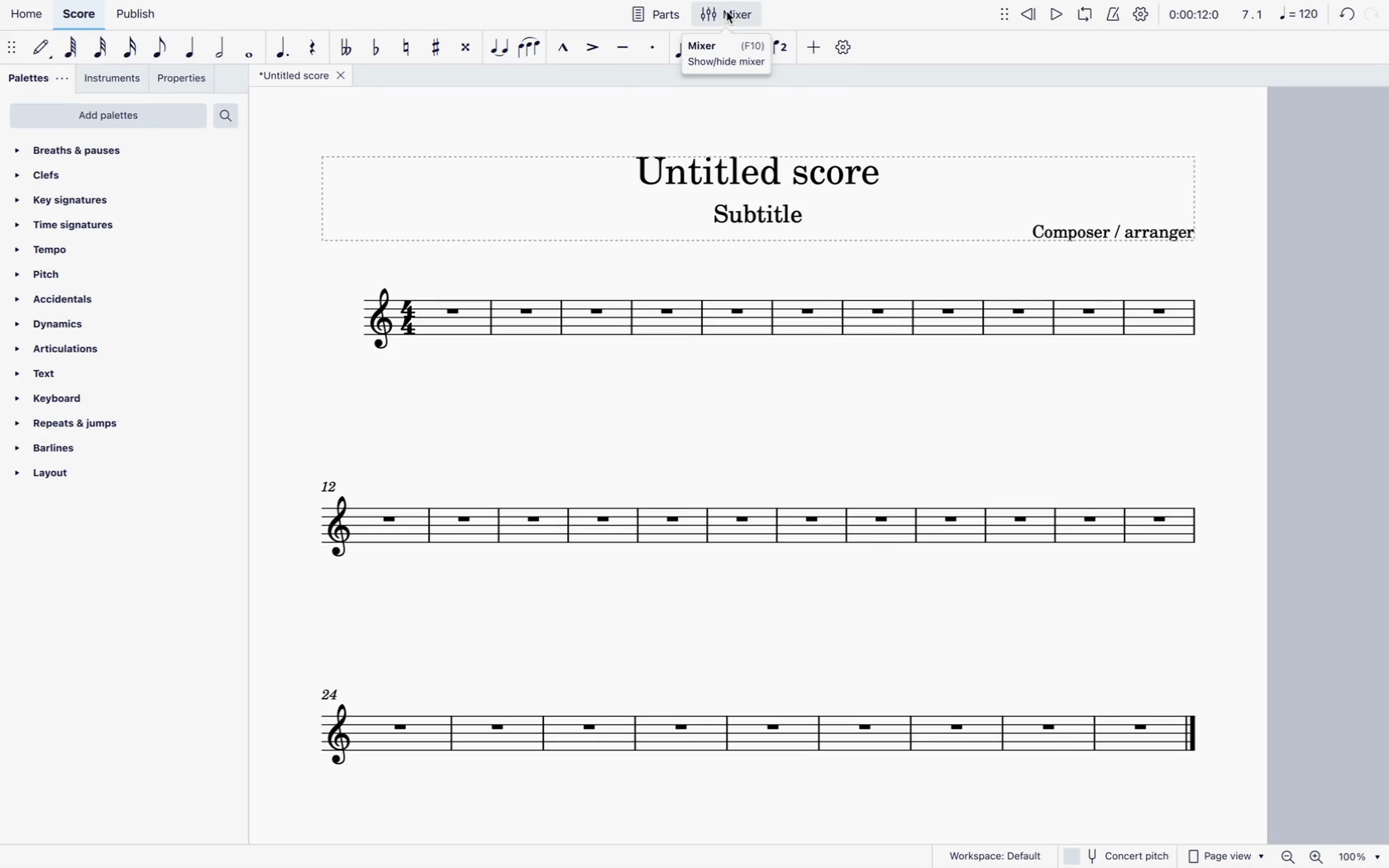 The image size is (1389, 868). Describe the element at coordinates (1117, 856) in the screenshot. I see `concert pitch` at that location.